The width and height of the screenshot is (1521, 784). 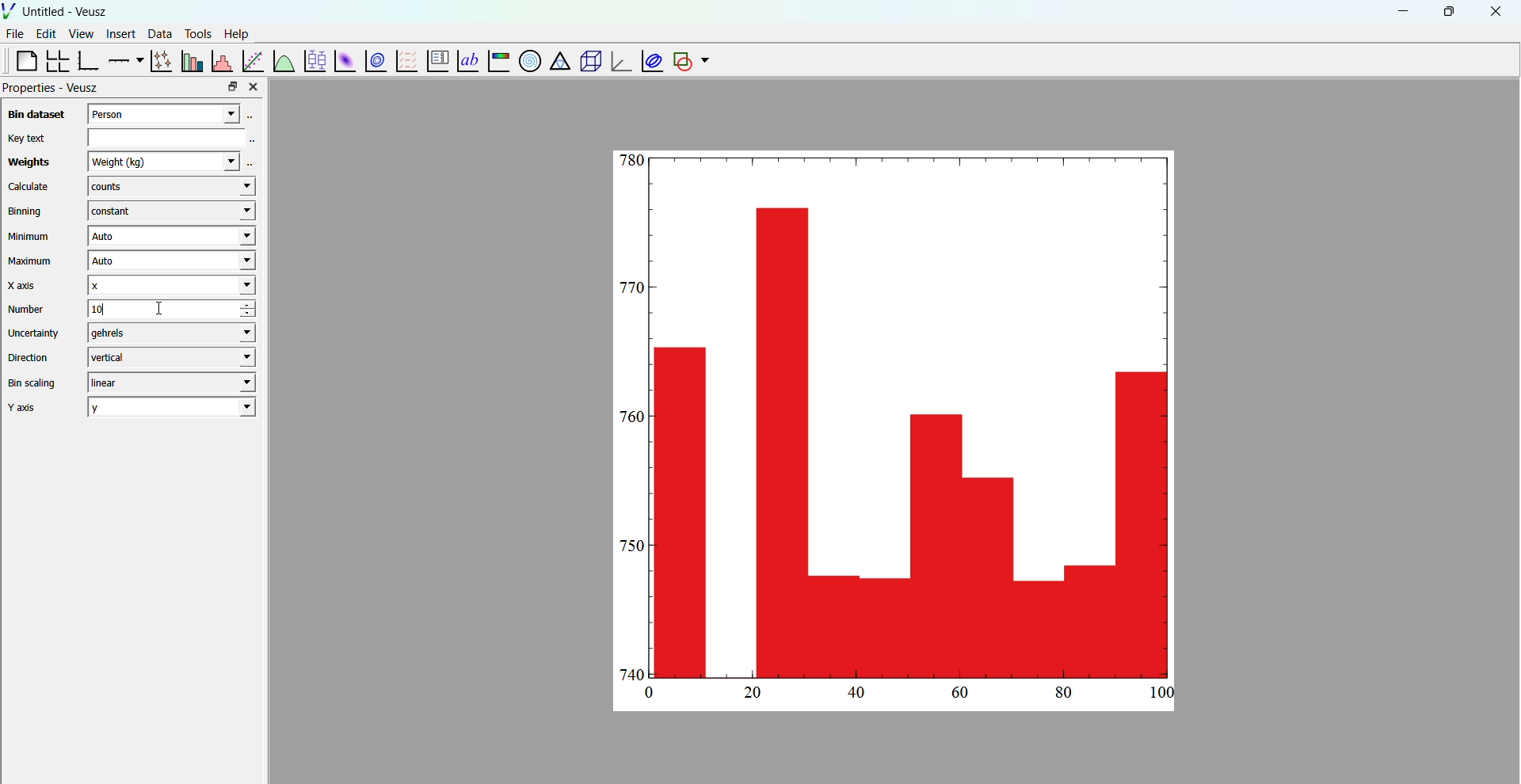 I want to click on X axis, so click(x=26, y=285).